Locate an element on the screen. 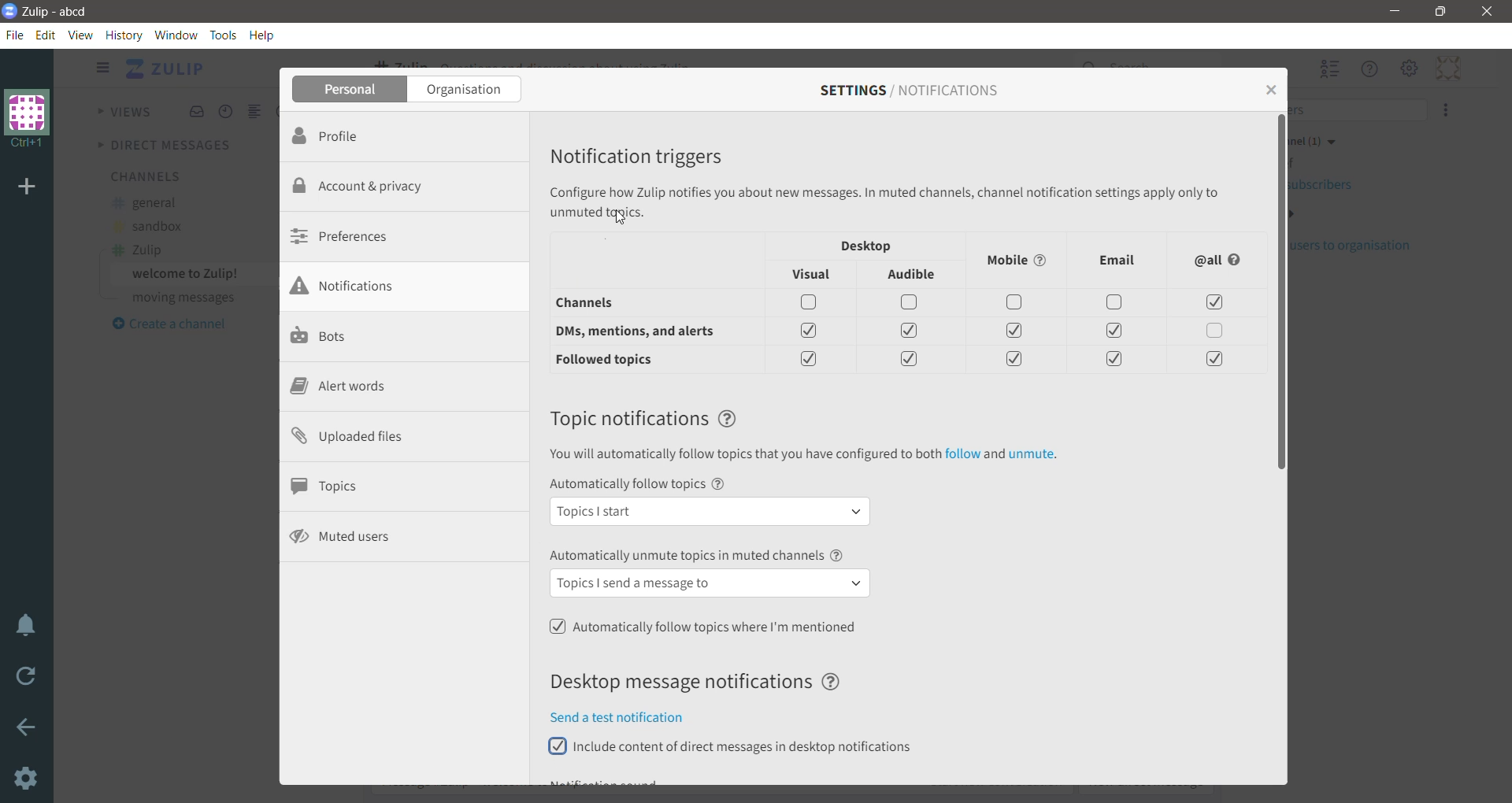 This screenshot has height=803, width=1512. Application Logo and Name - Organization Name is located at coordinates (53, 11).